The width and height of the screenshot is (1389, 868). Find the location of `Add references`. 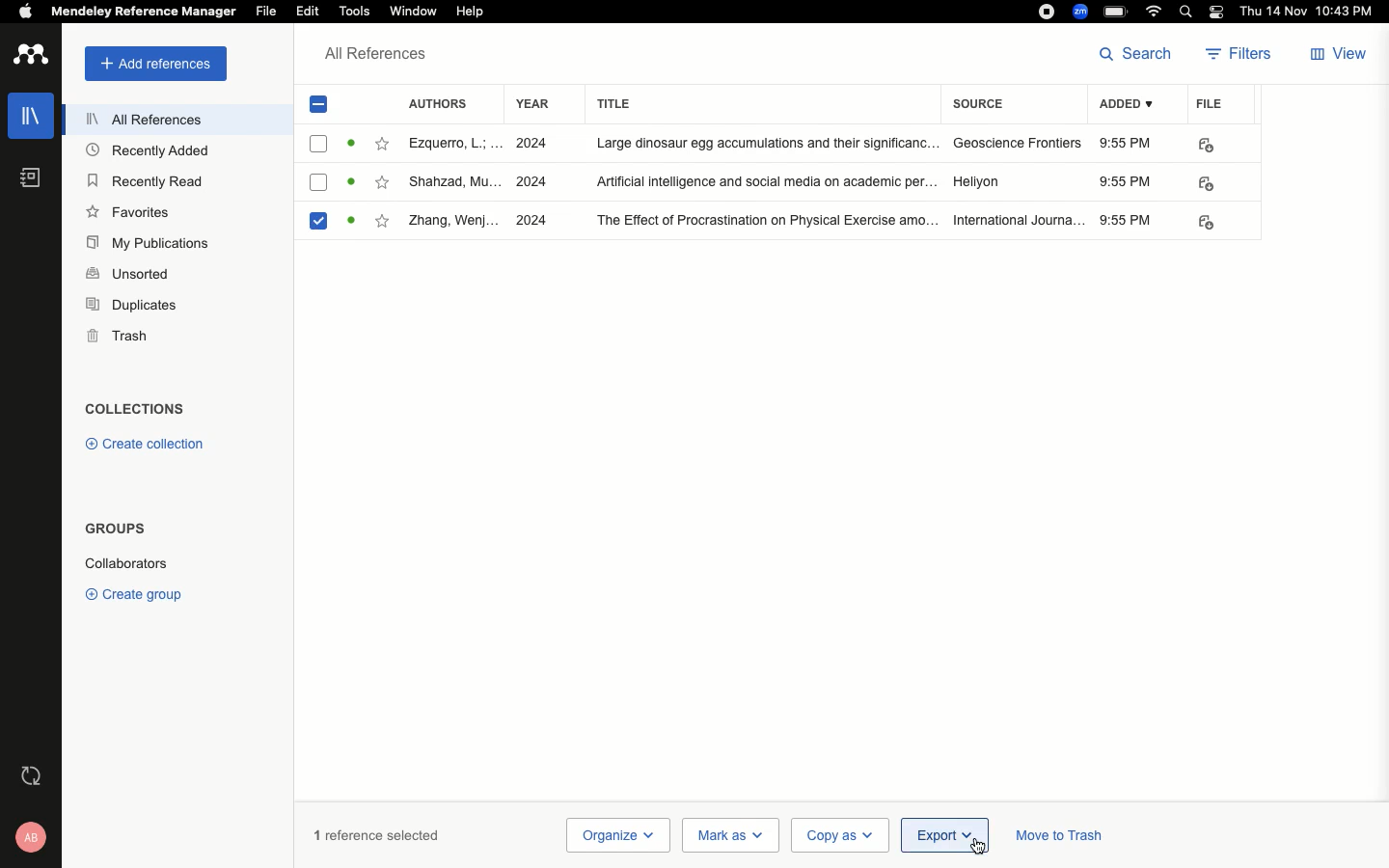

Add references is located at coordinates (155, 64).